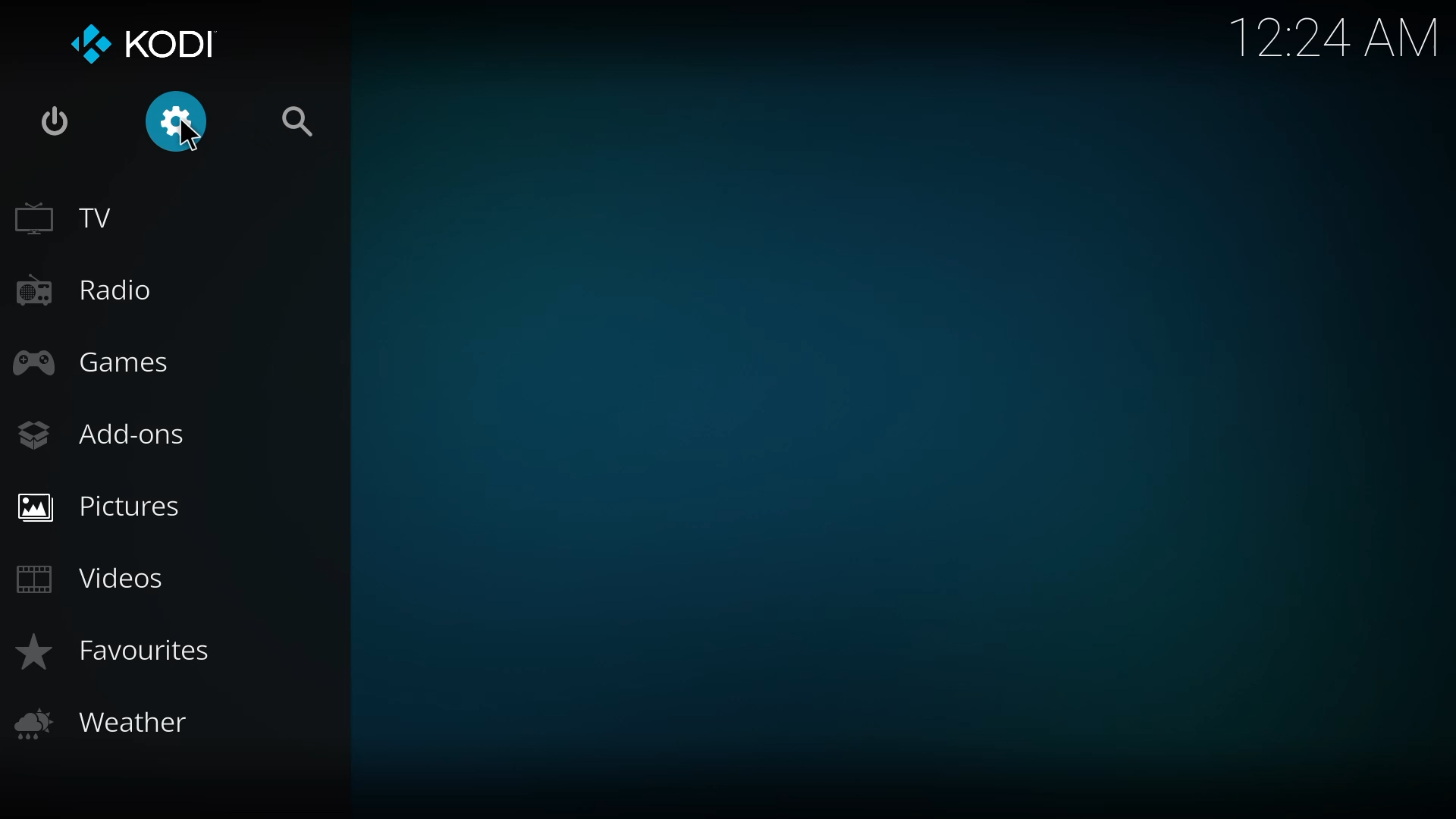 This screenshot has width=1456, height=819. What do you see at coordinates (70, 218) in the screenshot?
I see `tv` at bounding box center [70, 218].